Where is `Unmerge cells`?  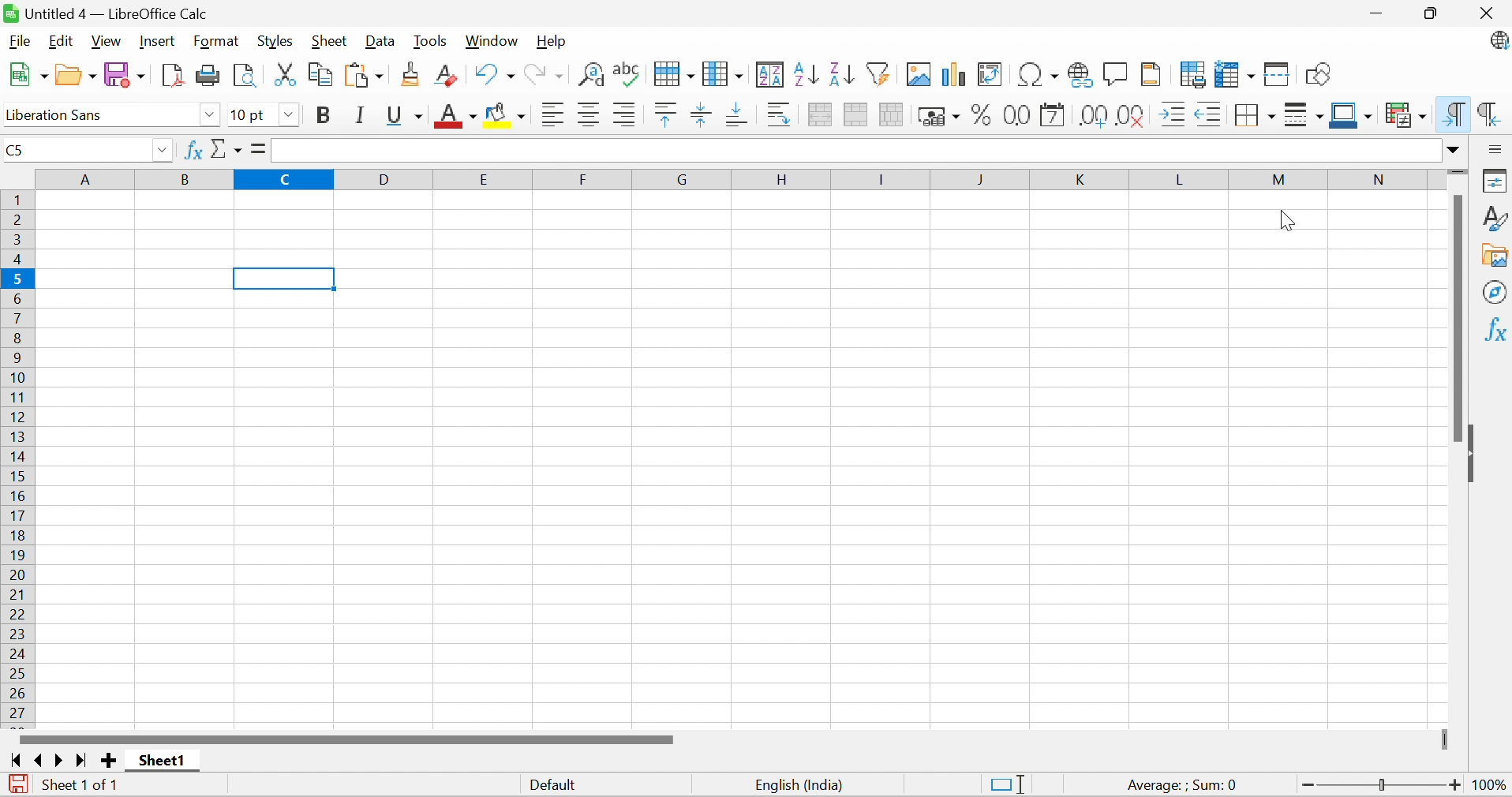
Unmerge cells is located at coordinates (891, 113).